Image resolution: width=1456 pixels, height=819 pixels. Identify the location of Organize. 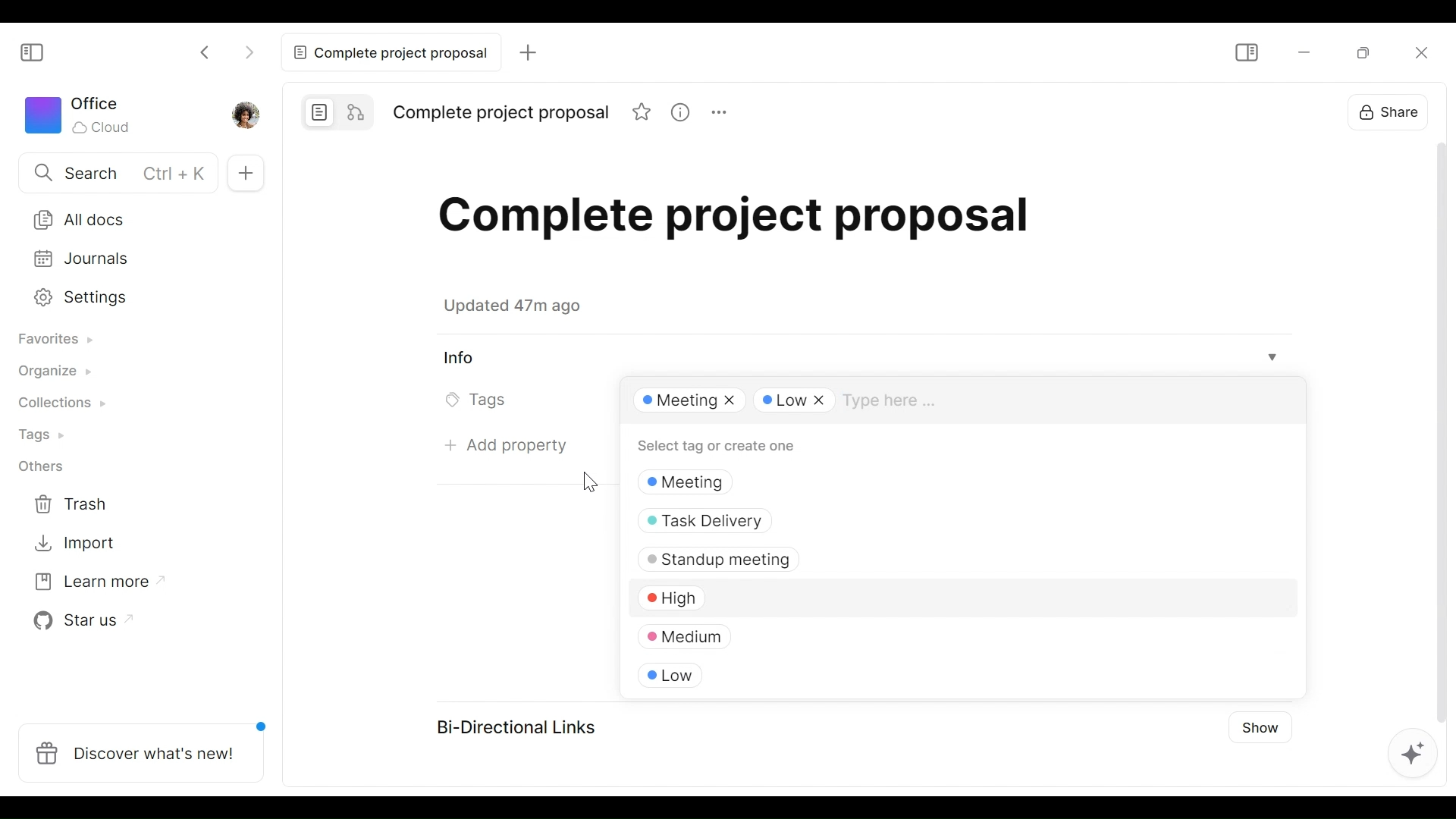
(58, 374).